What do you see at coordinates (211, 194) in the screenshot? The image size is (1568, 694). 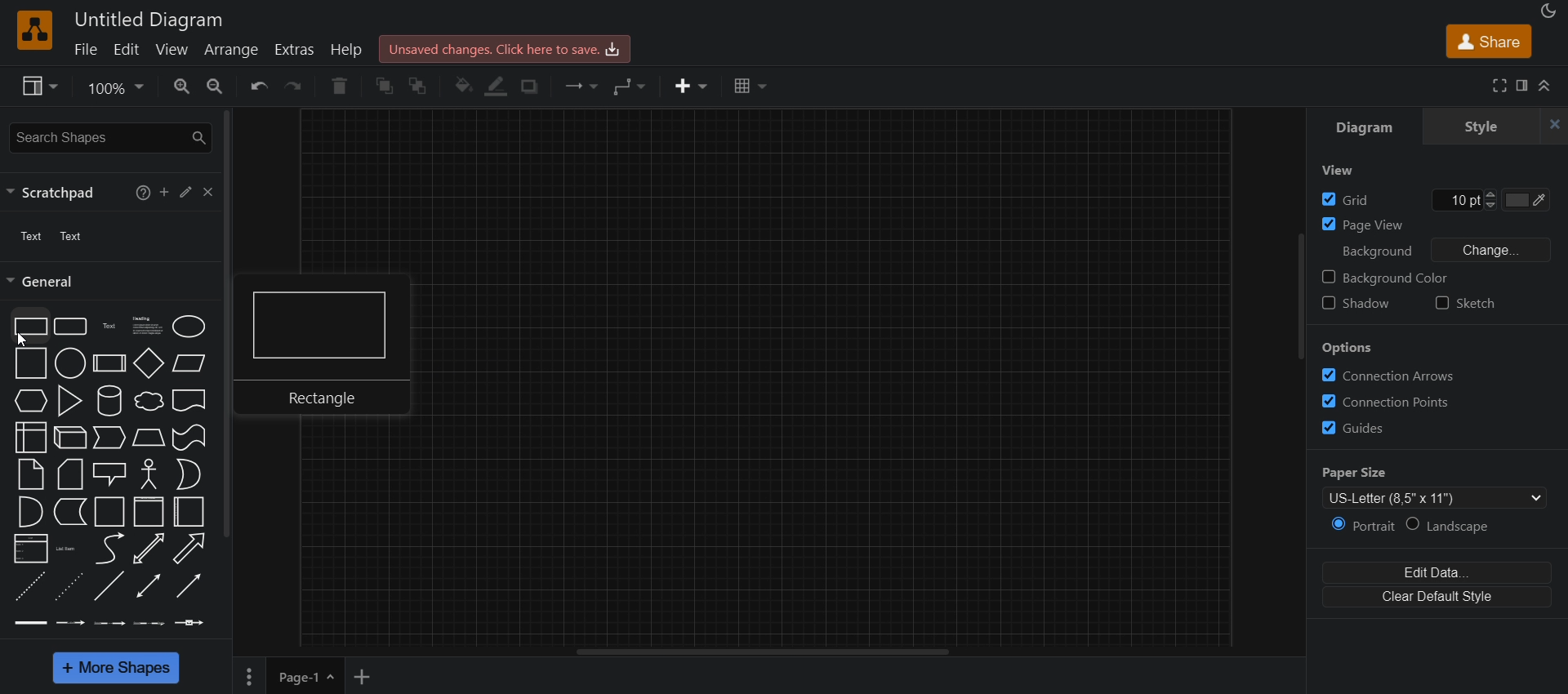 I see `close` at bounding box center [211, 194].